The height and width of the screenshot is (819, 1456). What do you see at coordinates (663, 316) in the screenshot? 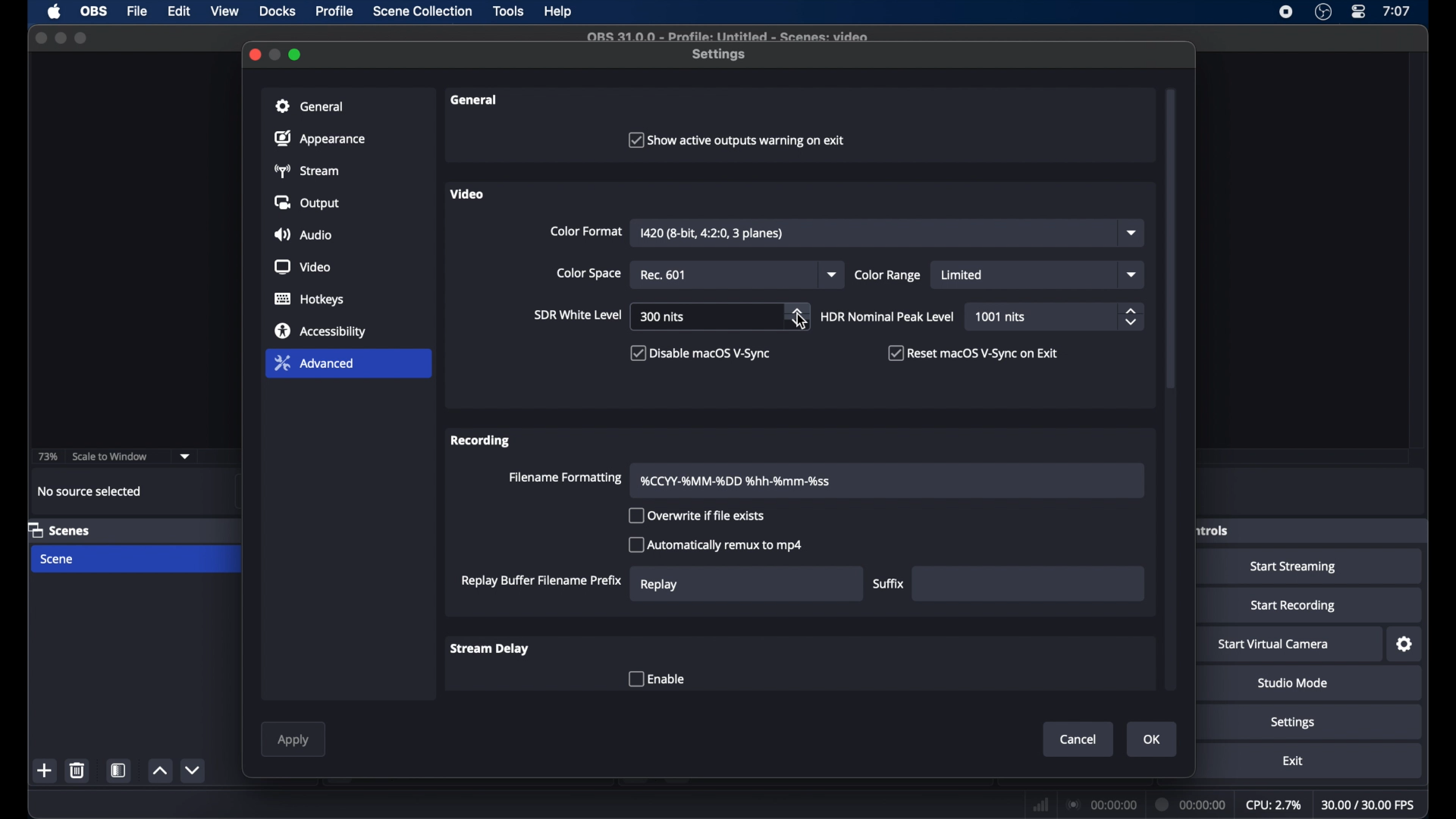
I see `300 nits` at bounding box center [663, 316].